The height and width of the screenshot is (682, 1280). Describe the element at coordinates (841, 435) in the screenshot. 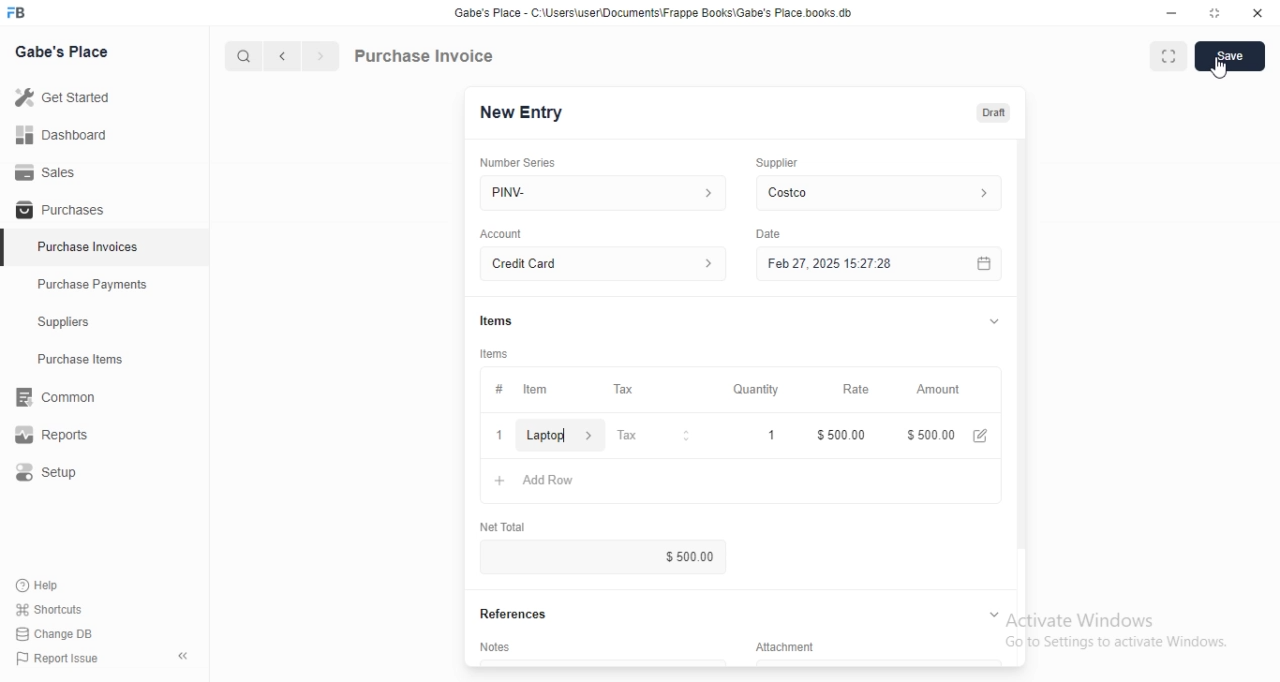

I see `$ 500.00` at that location.